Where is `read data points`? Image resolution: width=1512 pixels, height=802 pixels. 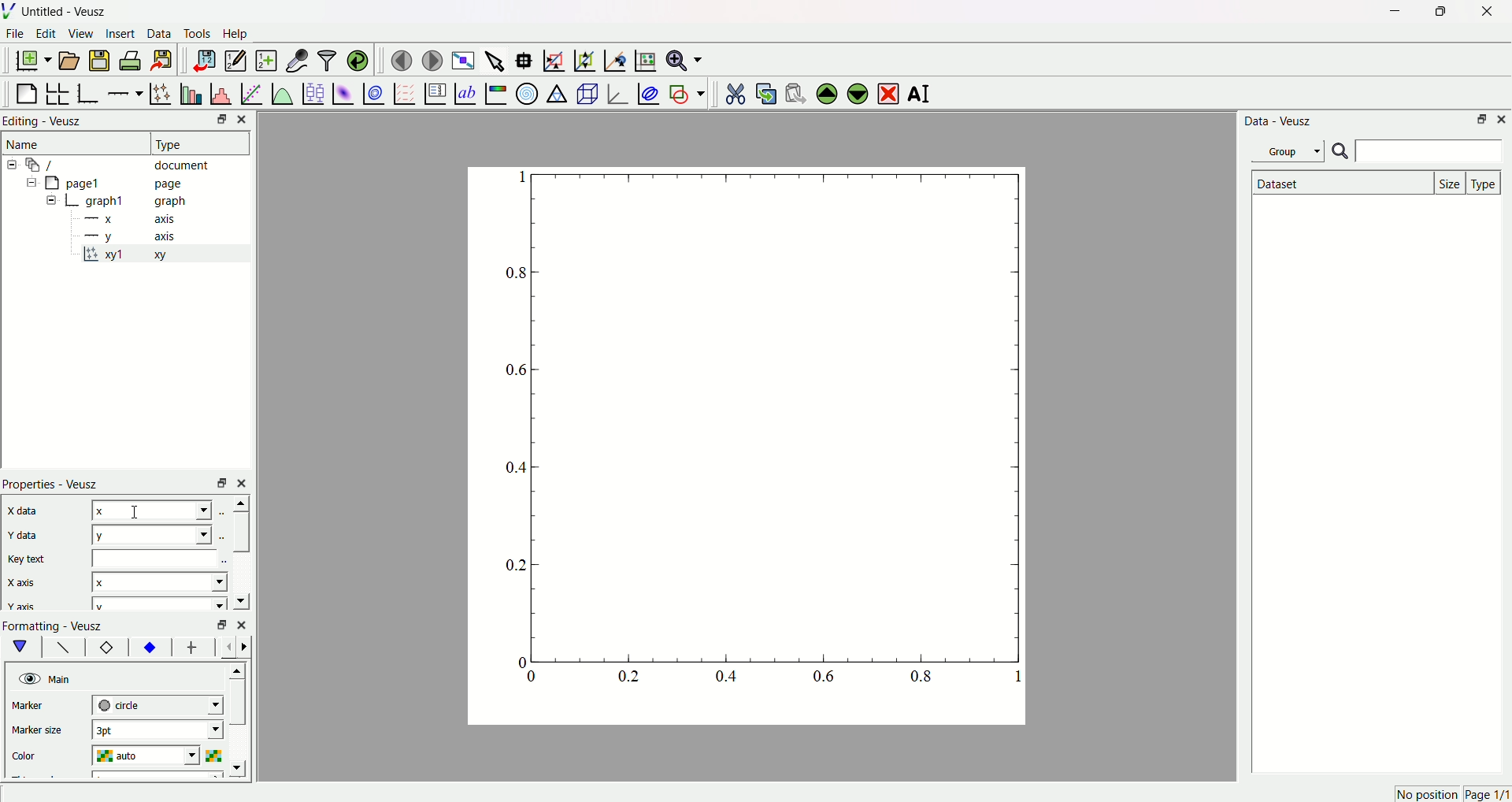
read data points is located at coordinates (527, 58).